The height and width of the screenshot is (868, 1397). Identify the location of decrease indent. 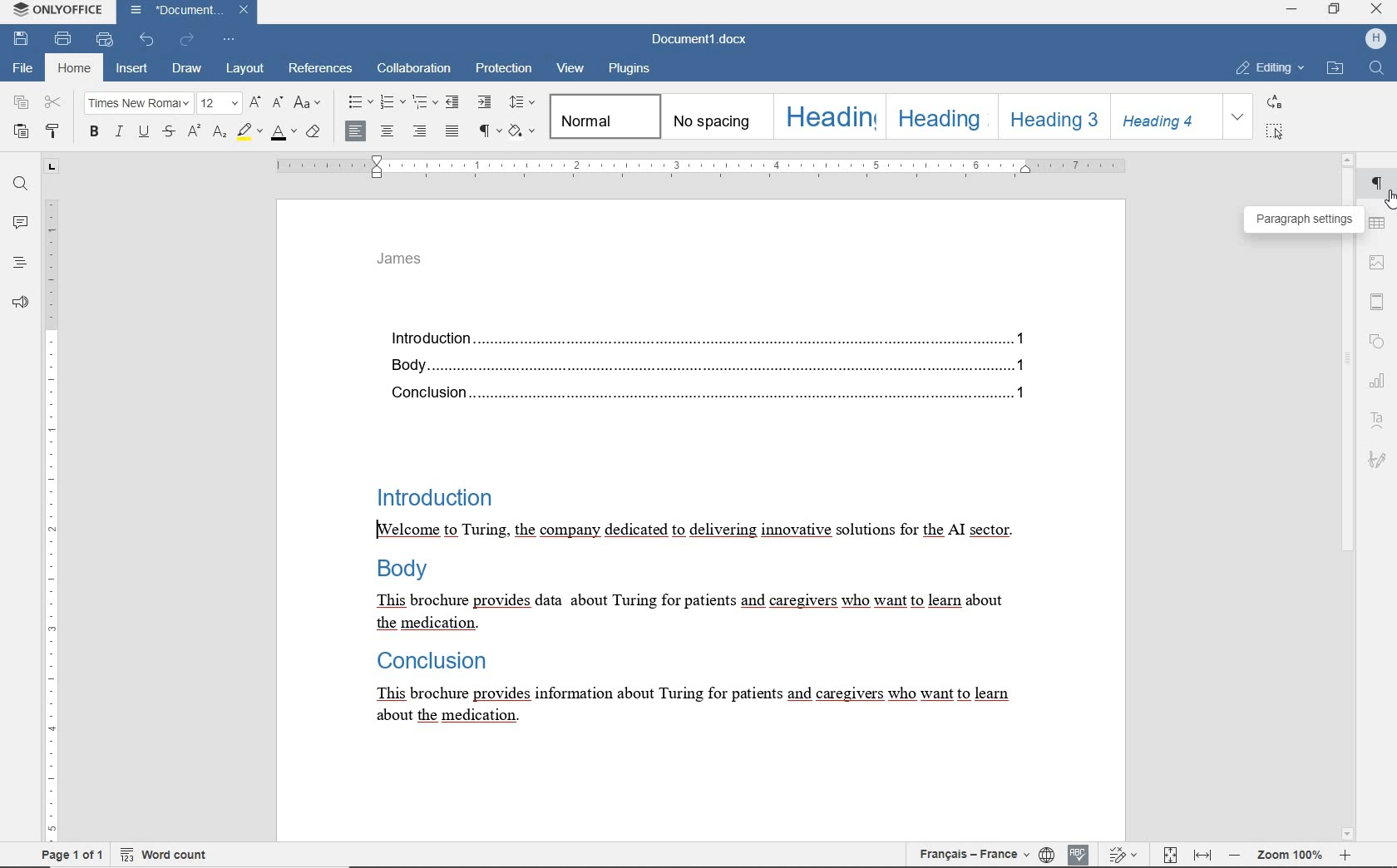
(453, 102).